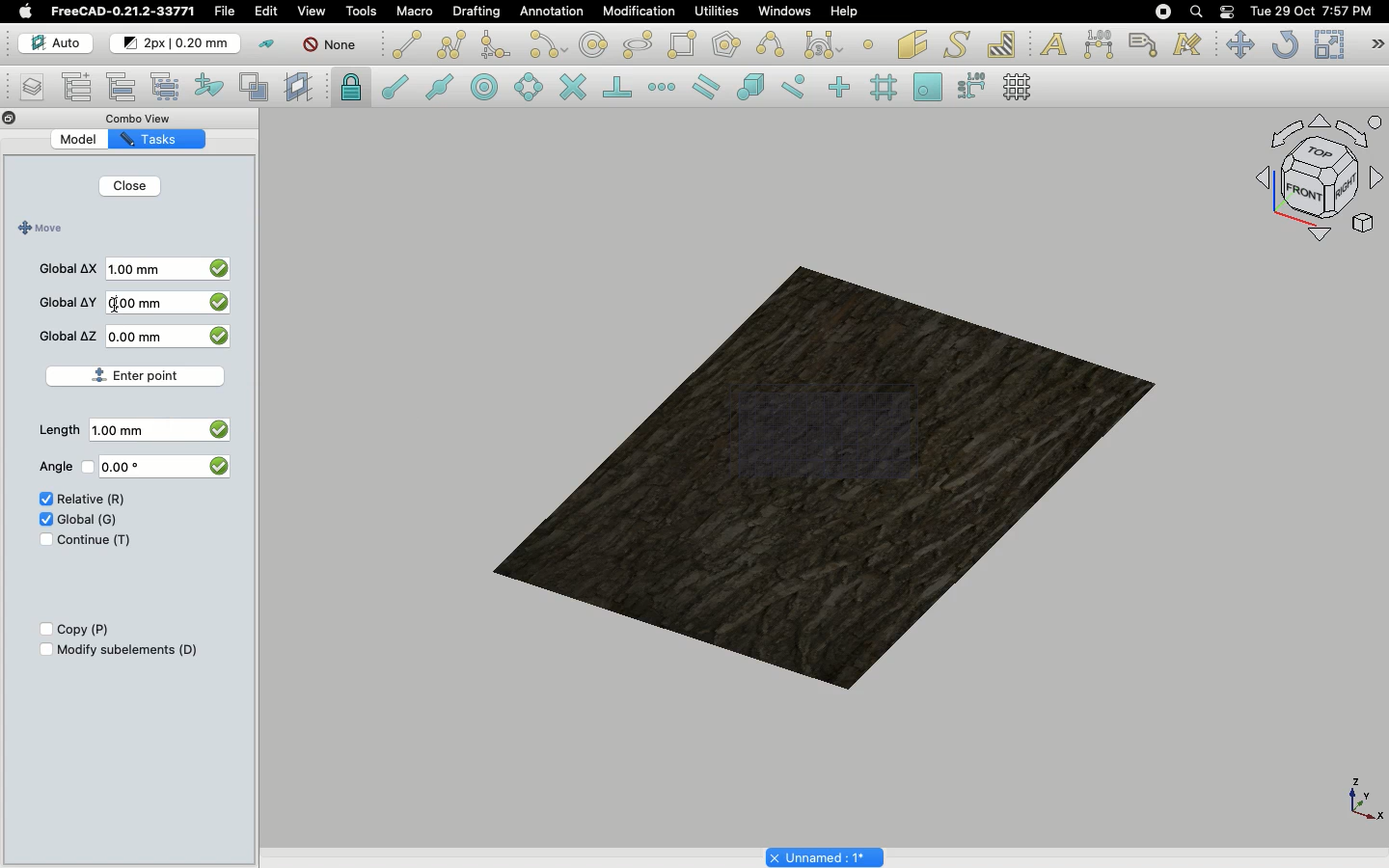 This screenshot has width=1389, height=868. I want to click on Create working plane proxy, so click(301, 88).